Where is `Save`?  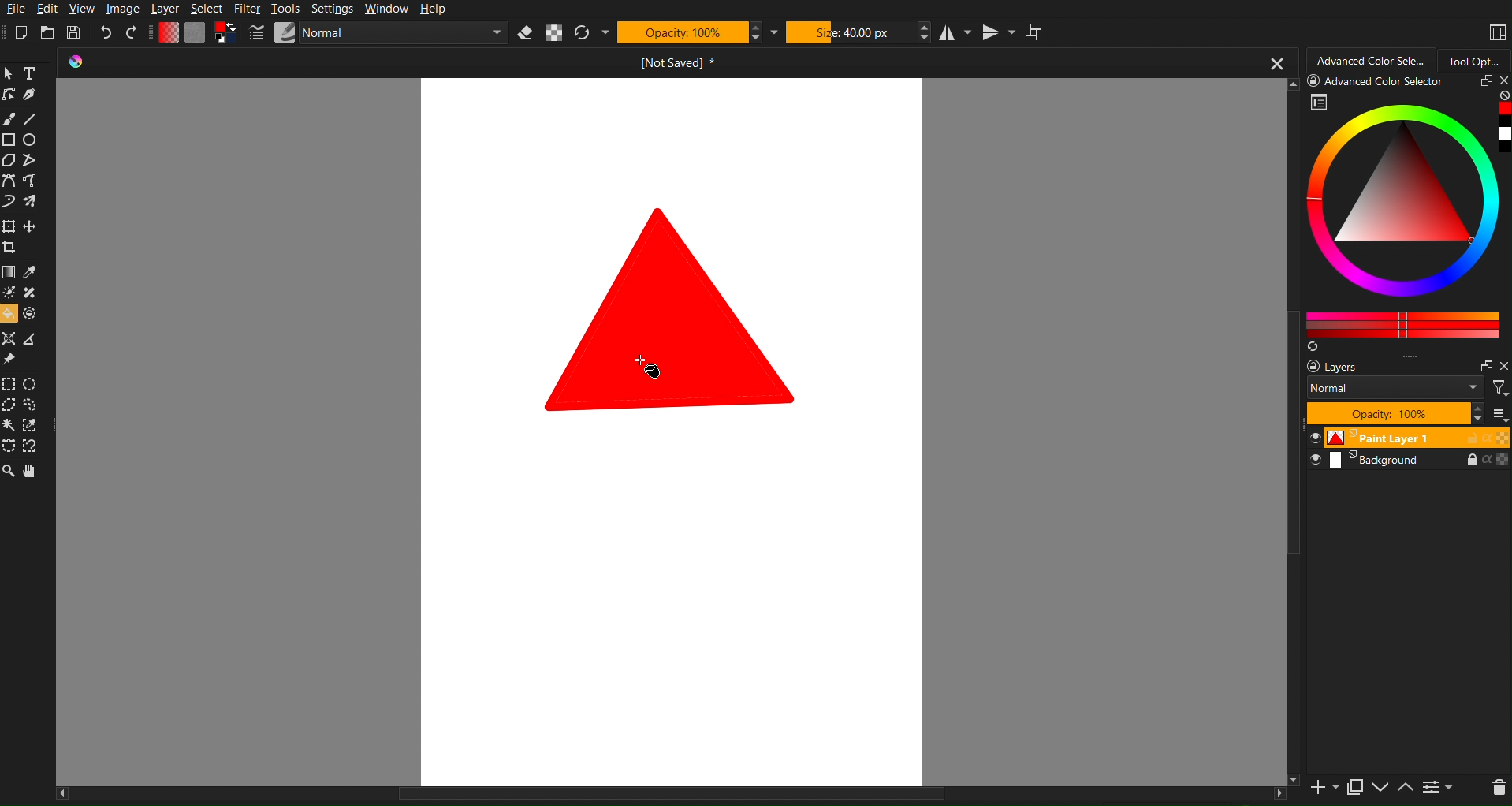
Save is located at coordinates (76, 32).